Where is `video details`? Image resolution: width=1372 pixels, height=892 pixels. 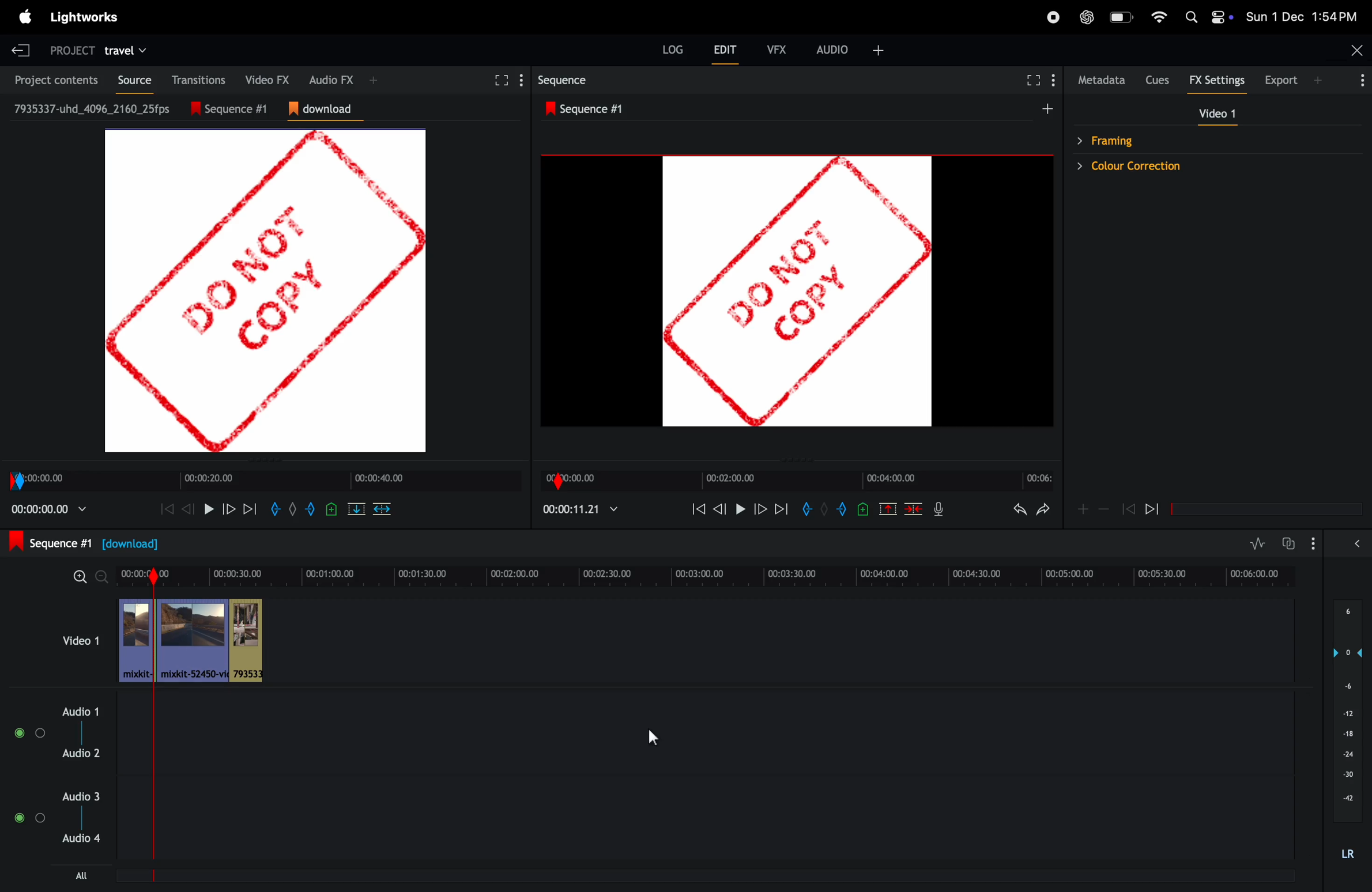 video details is located at coordinates (93, 108).